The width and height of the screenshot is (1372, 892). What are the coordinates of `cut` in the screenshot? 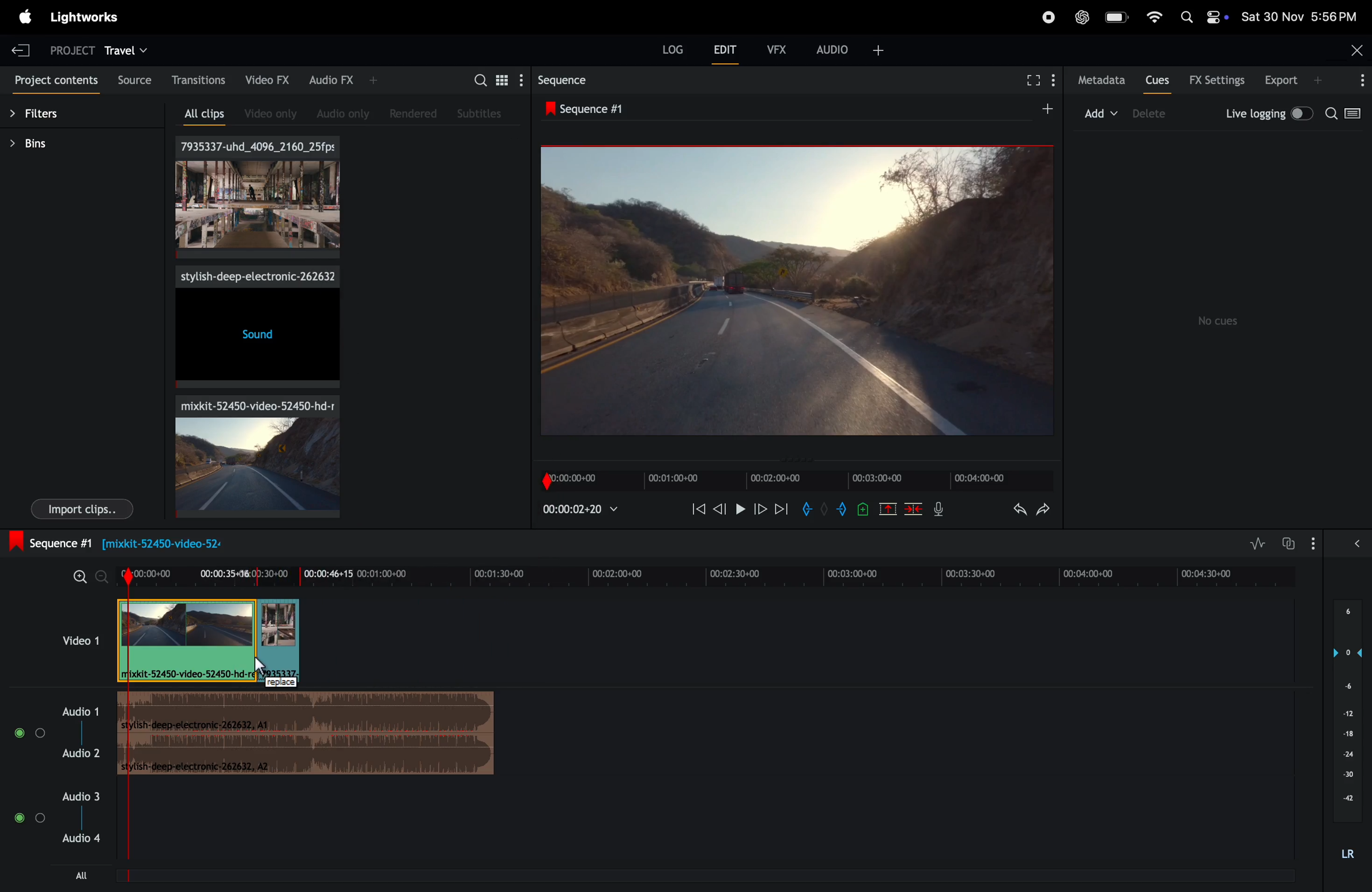 It's located at (887, 509).